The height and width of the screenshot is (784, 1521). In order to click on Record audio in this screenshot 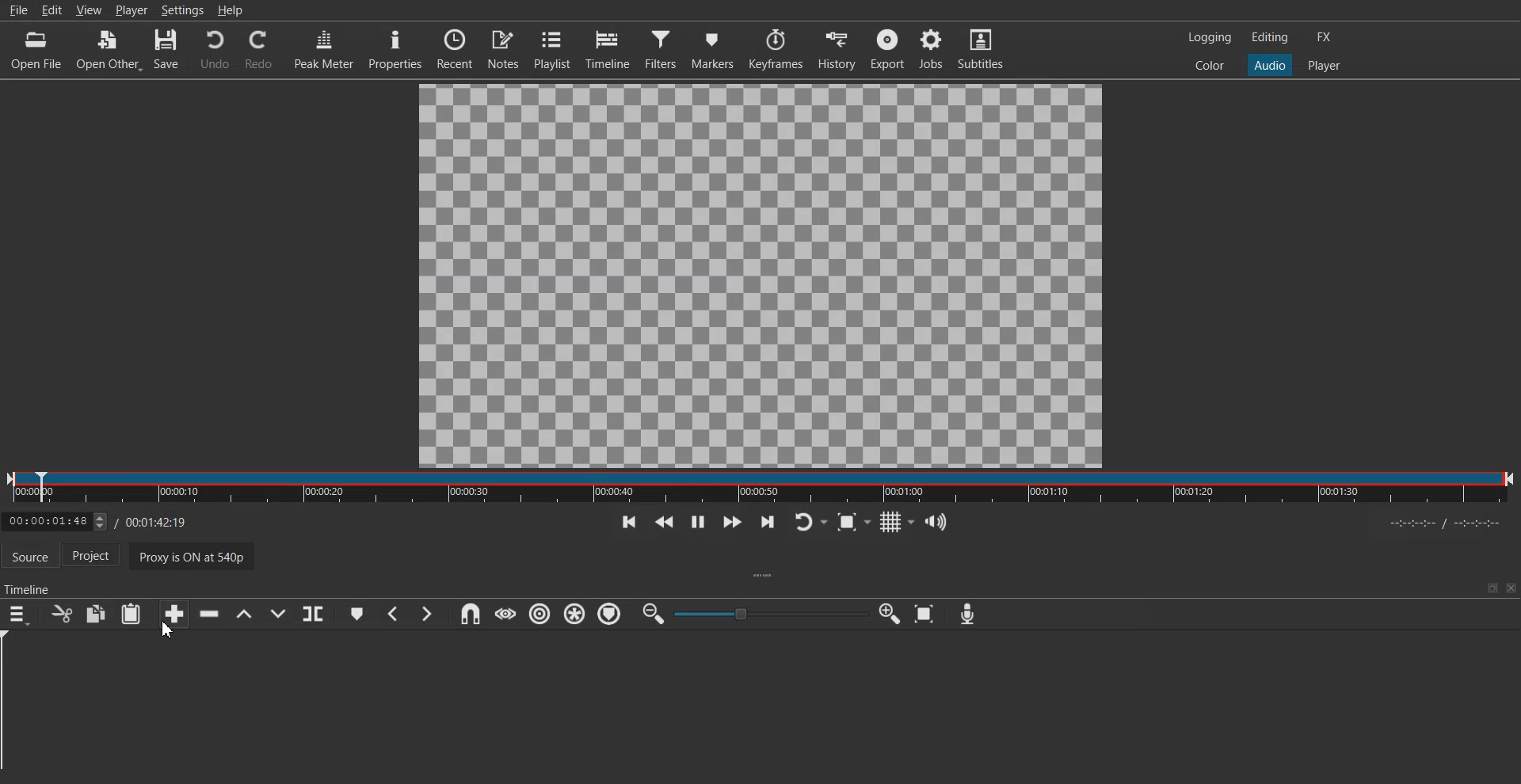, I will do `click(966, 614)`.